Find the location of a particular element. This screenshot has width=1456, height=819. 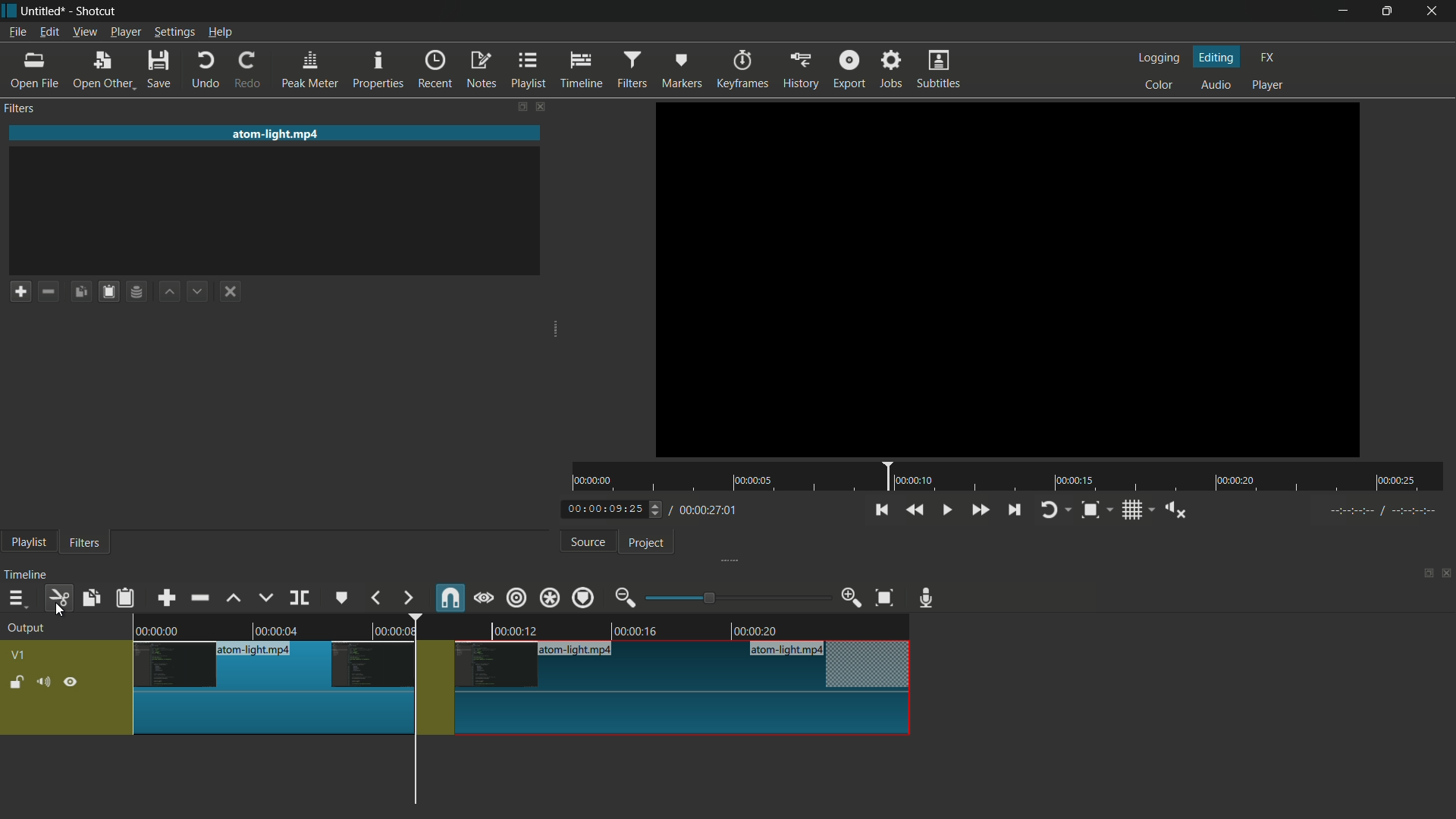

timeline menu is located at coordinates (16, 598).